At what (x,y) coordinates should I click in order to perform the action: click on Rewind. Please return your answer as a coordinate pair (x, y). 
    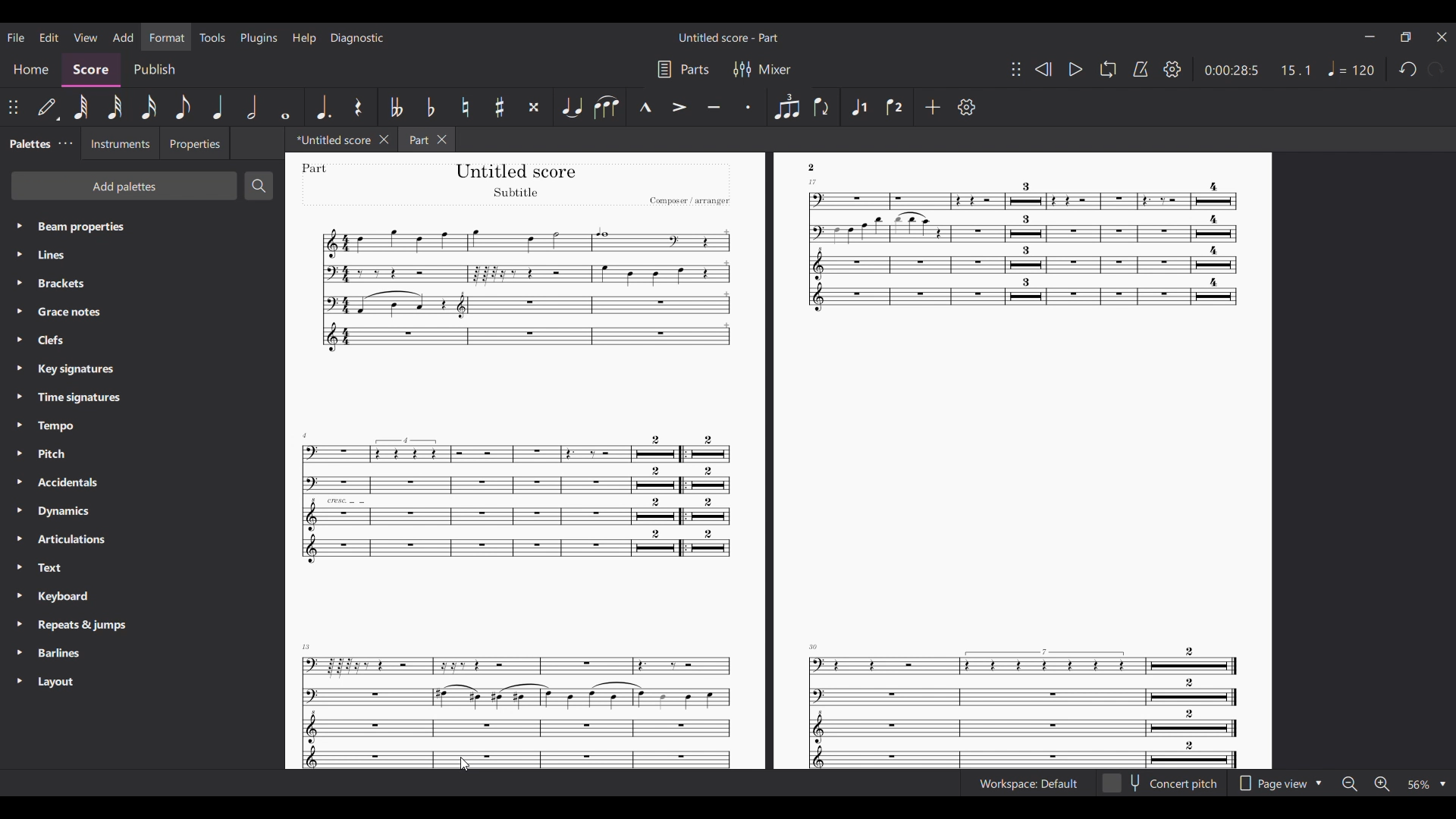
    Looking at the image, I should click on (1043, 69).